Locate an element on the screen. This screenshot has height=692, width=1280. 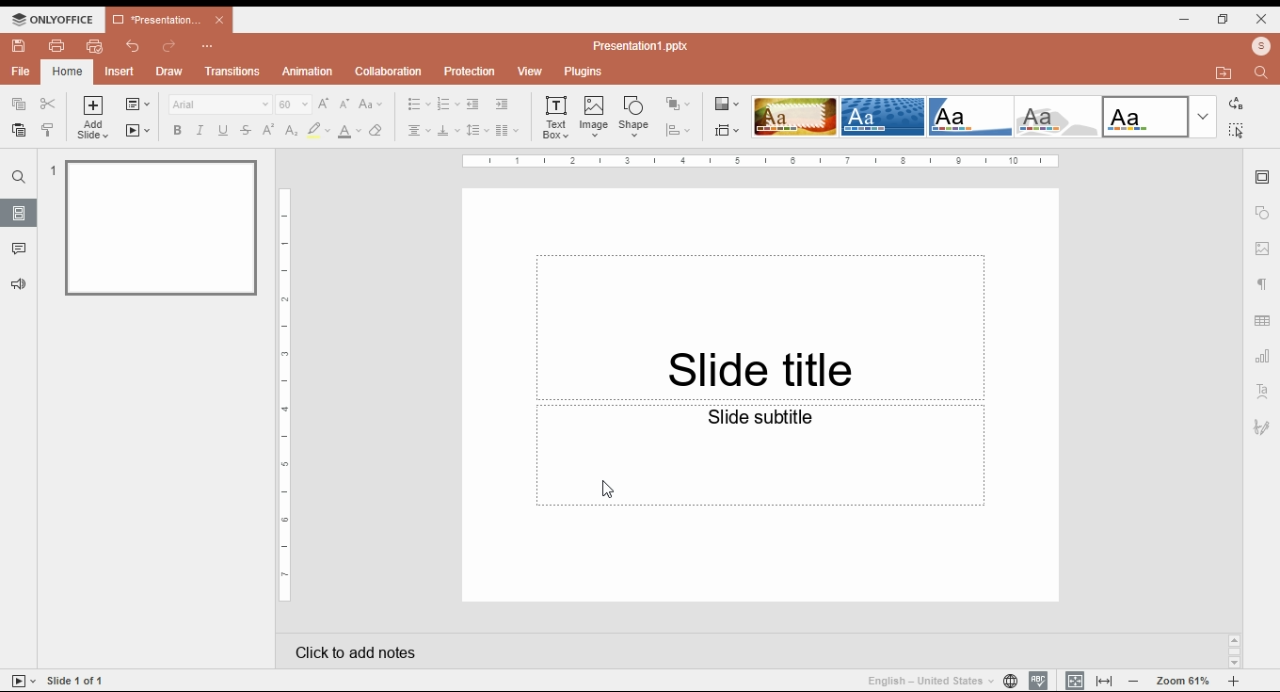
decrement font size is located at coordinates (345, 103).